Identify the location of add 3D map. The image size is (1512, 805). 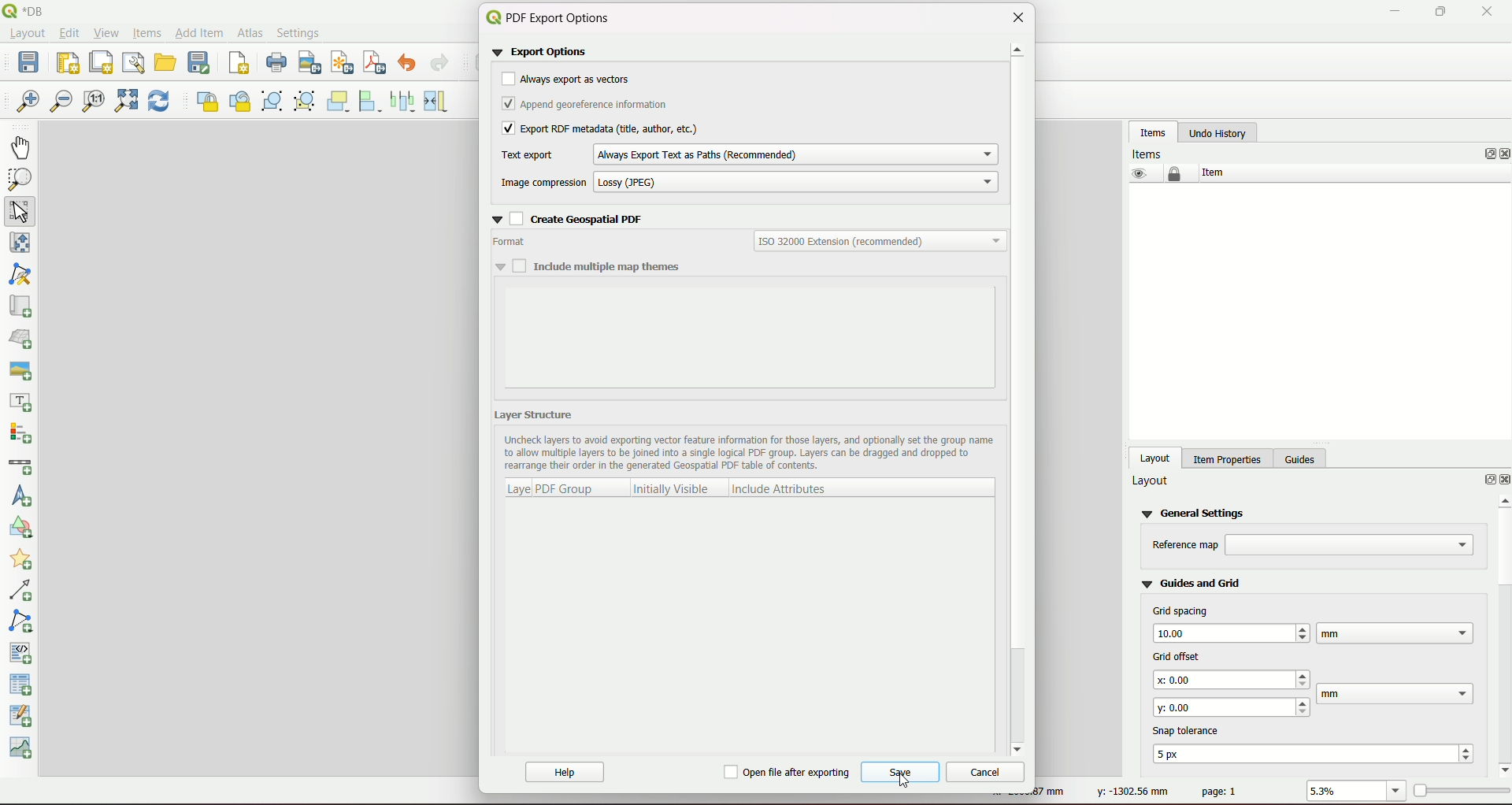
(23, 337).